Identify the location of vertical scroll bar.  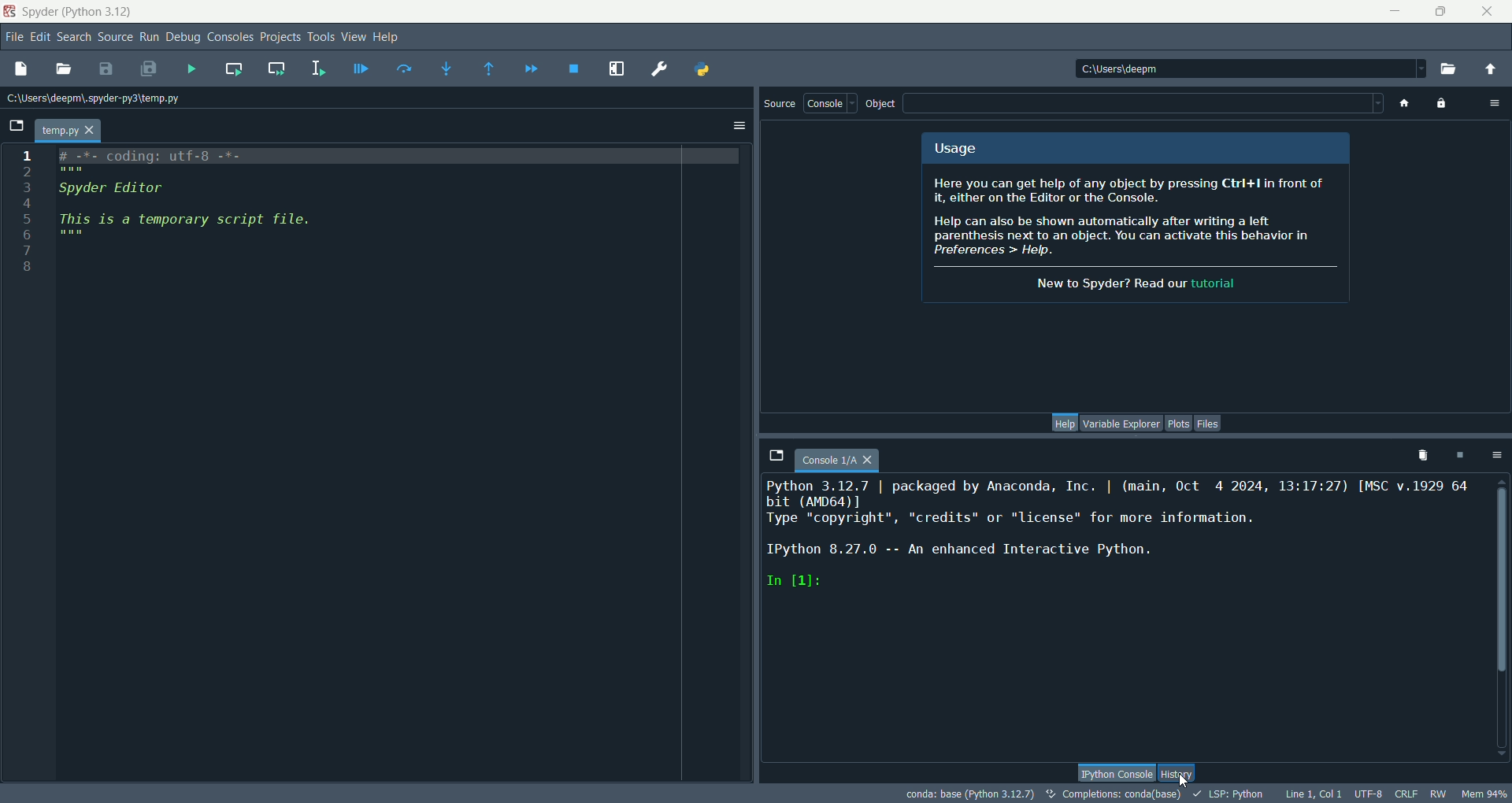
(1503, 611).